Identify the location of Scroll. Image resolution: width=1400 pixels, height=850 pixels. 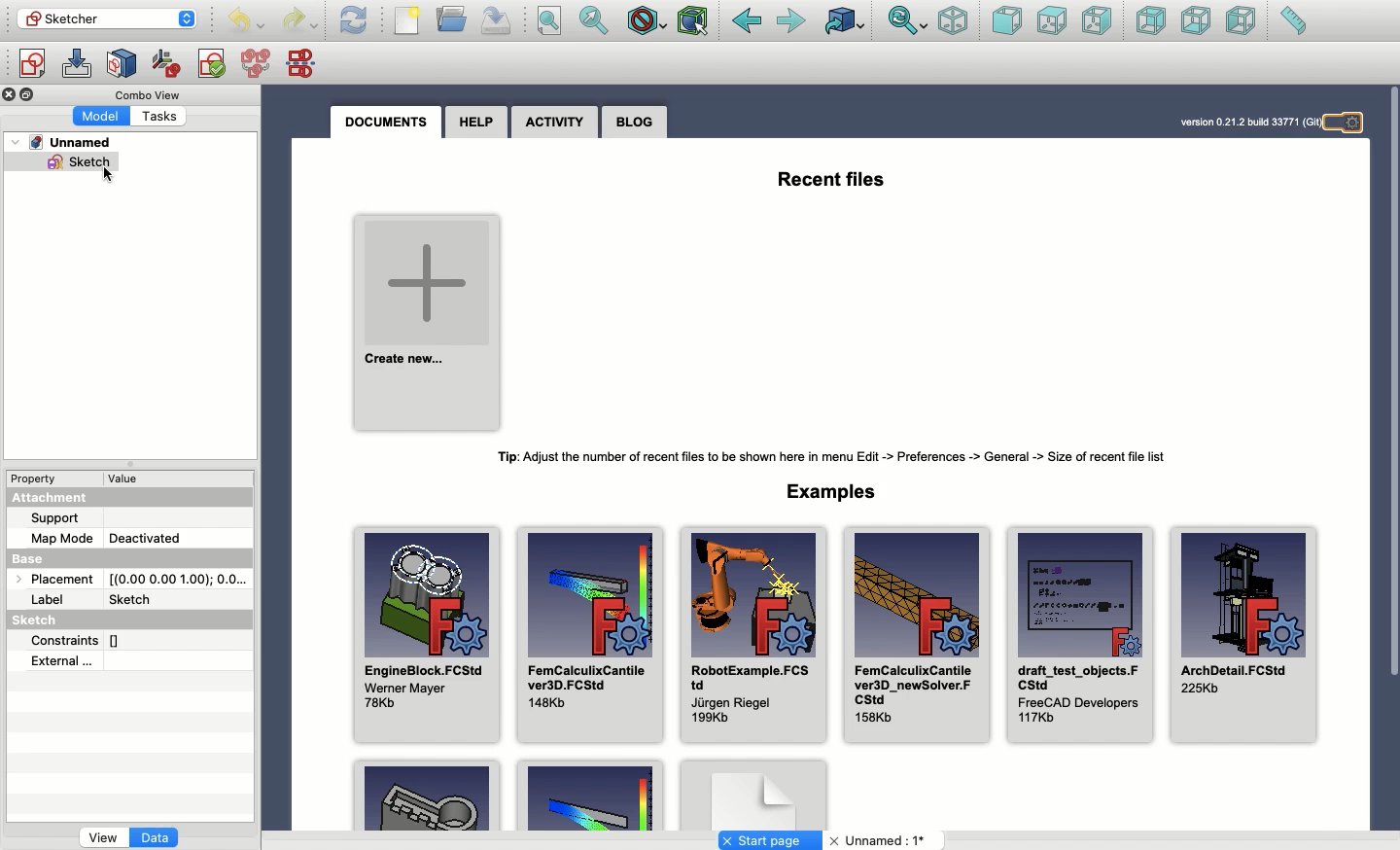
(1391, 438).